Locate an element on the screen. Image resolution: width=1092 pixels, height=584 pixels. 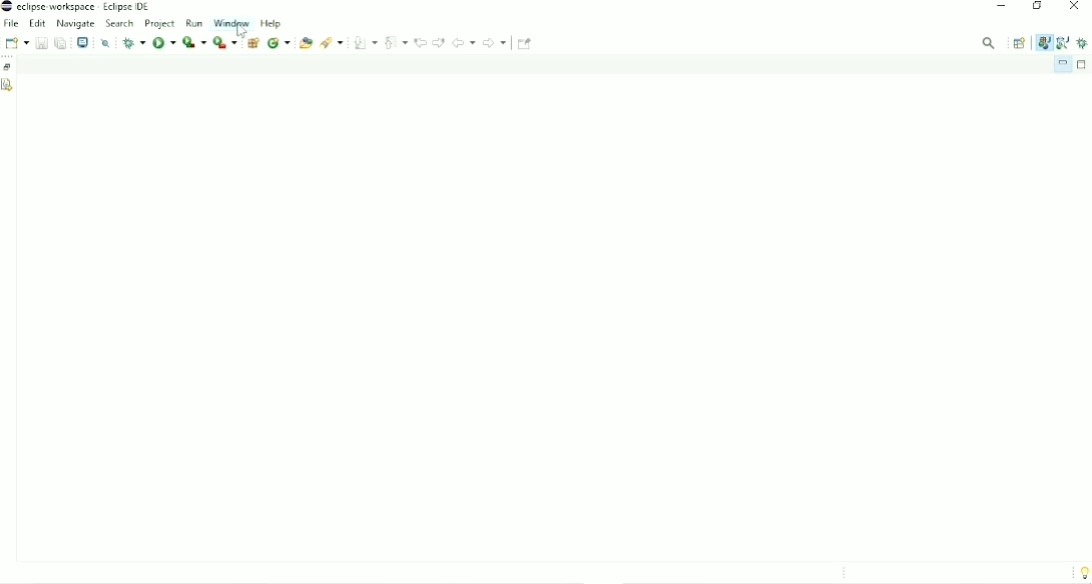
Skip all breakpoints is located at coordinates (105, 43).